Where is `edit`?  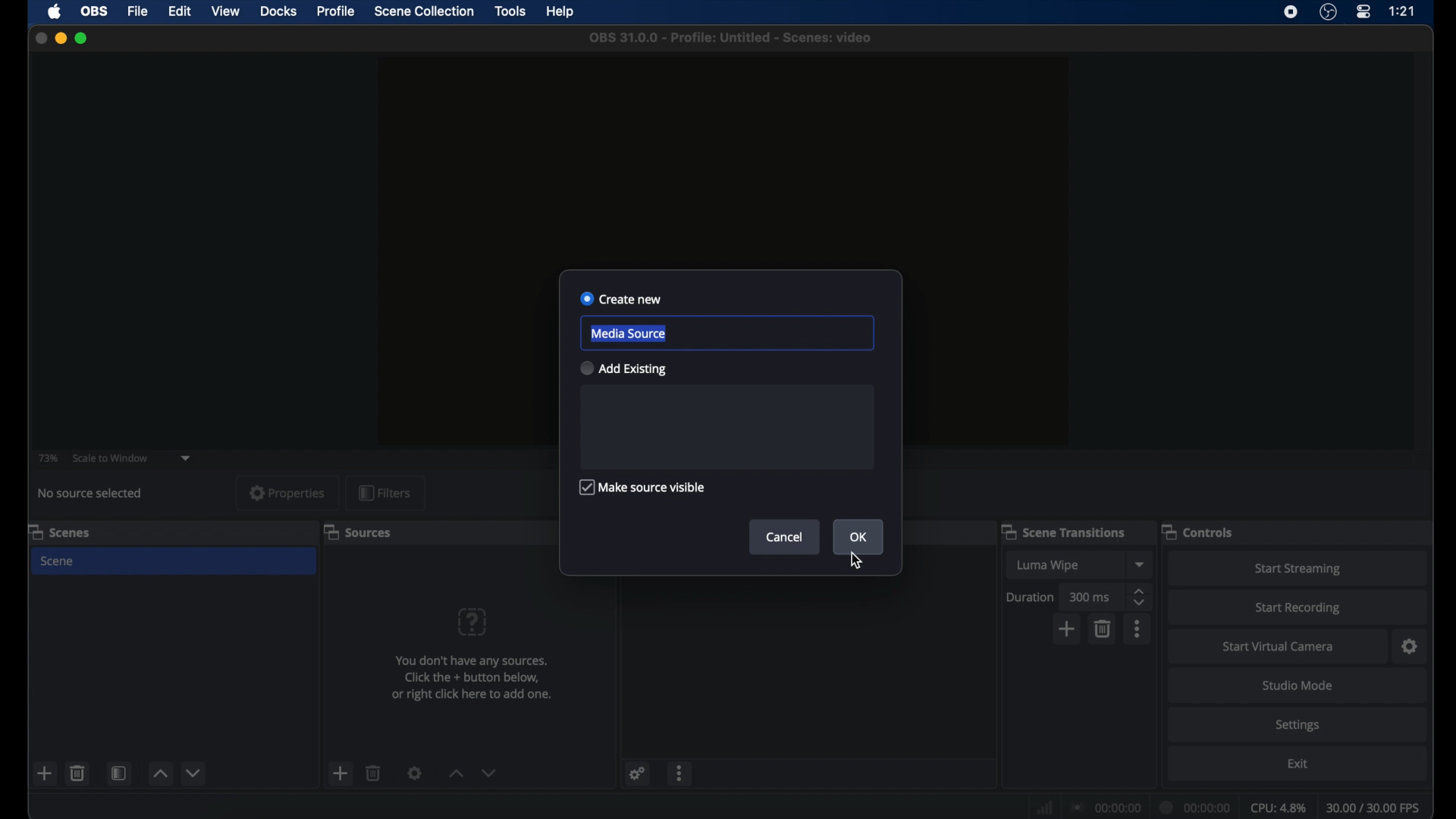
edit is located at coordinates (179, 11).